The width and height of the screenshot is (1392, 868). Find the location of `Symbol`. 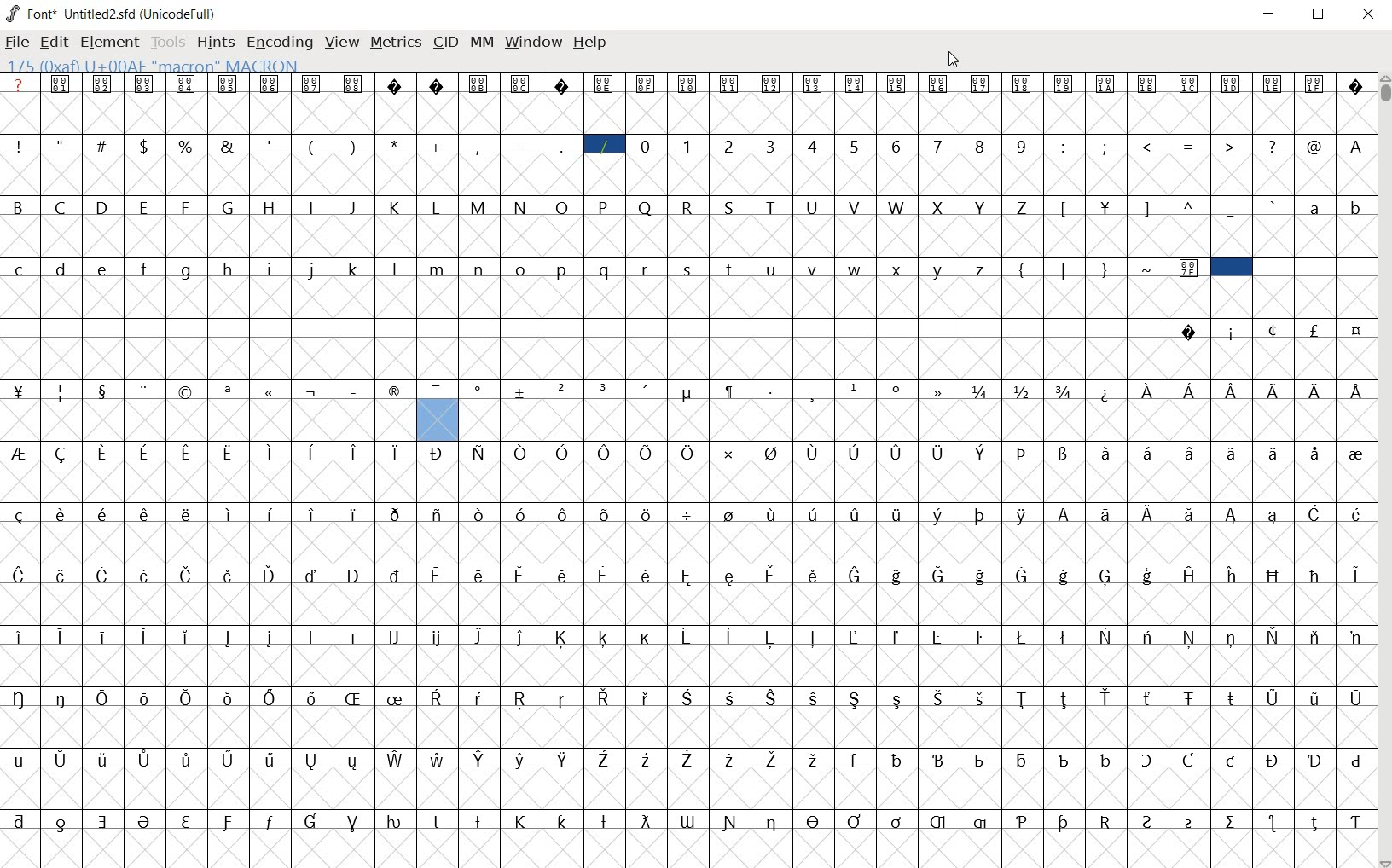

Symbol is located at coordinates (1023, 391).